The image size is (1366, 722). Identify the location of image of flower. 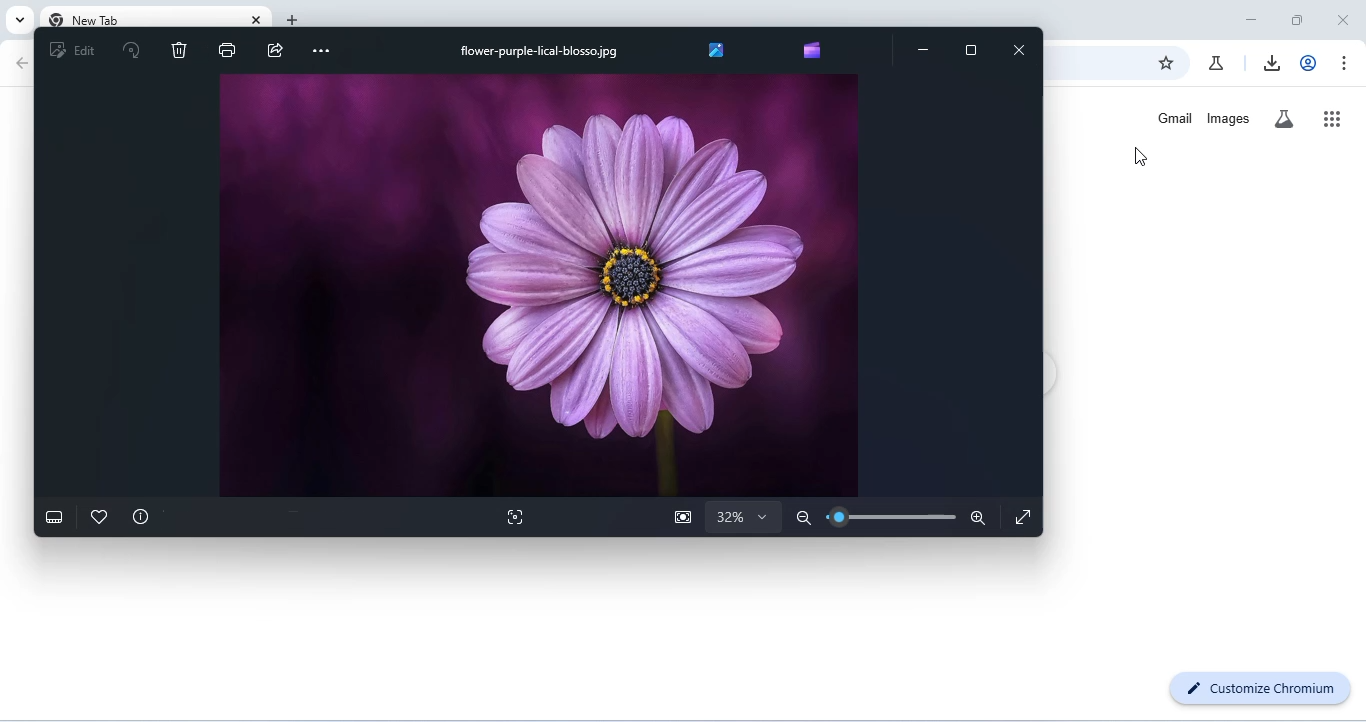
(534, 283).